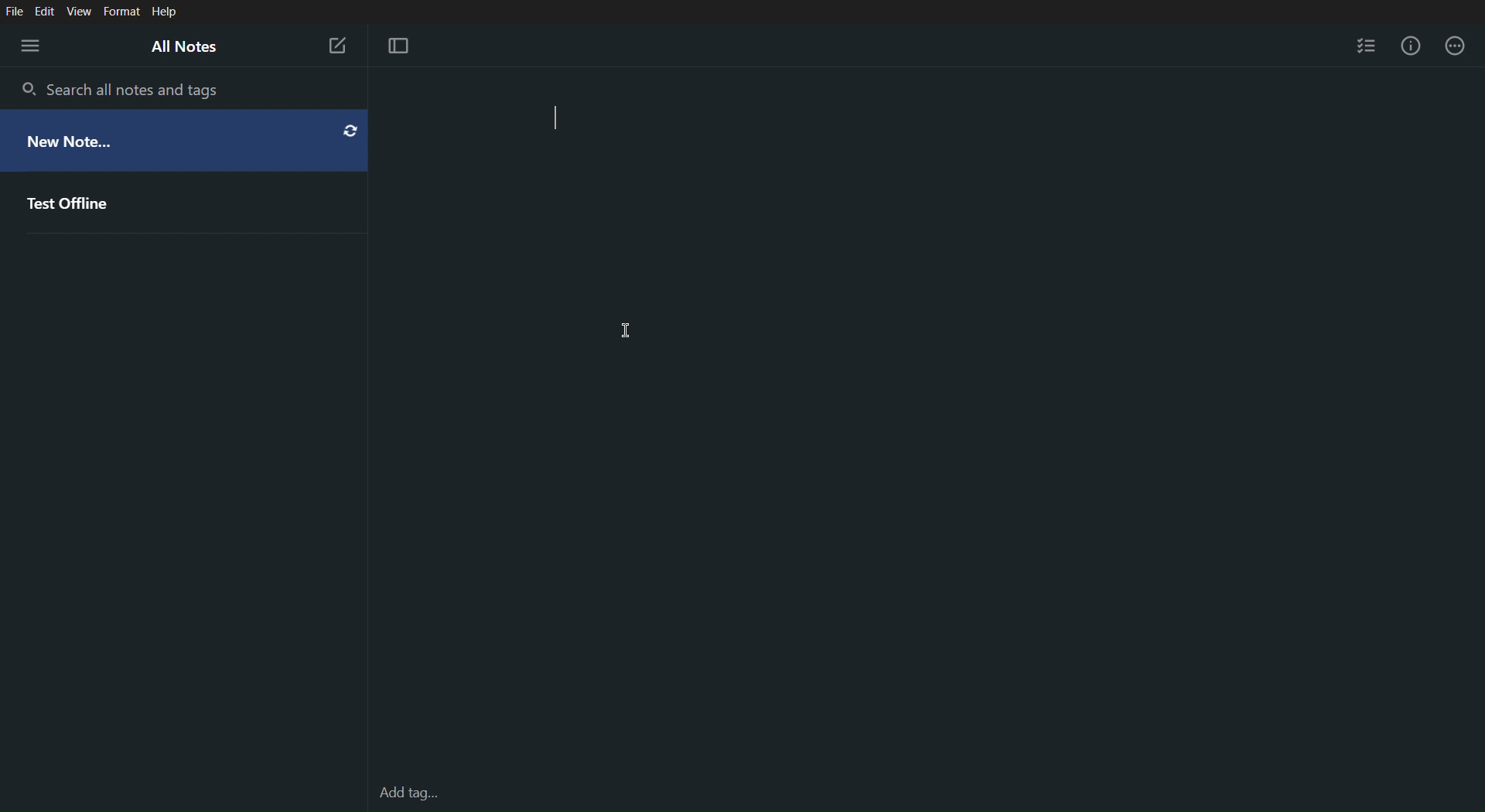 Image resolution: width=1485 pixels, height=812 pixels. I want to click on Info, so click(1411, 48).